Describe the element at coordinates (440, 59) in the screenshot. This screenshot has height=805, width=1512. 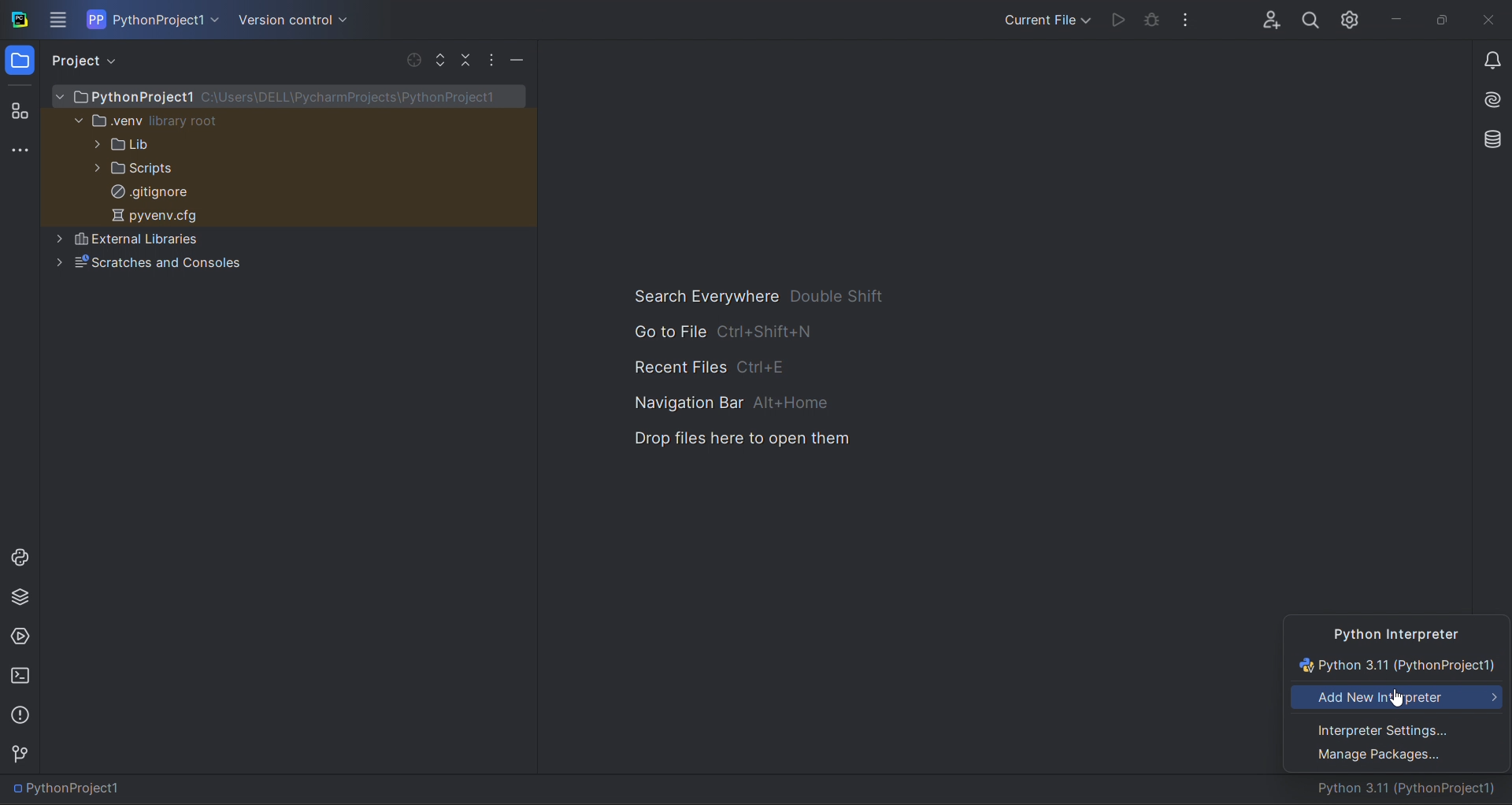
I see `expand file` at that location.